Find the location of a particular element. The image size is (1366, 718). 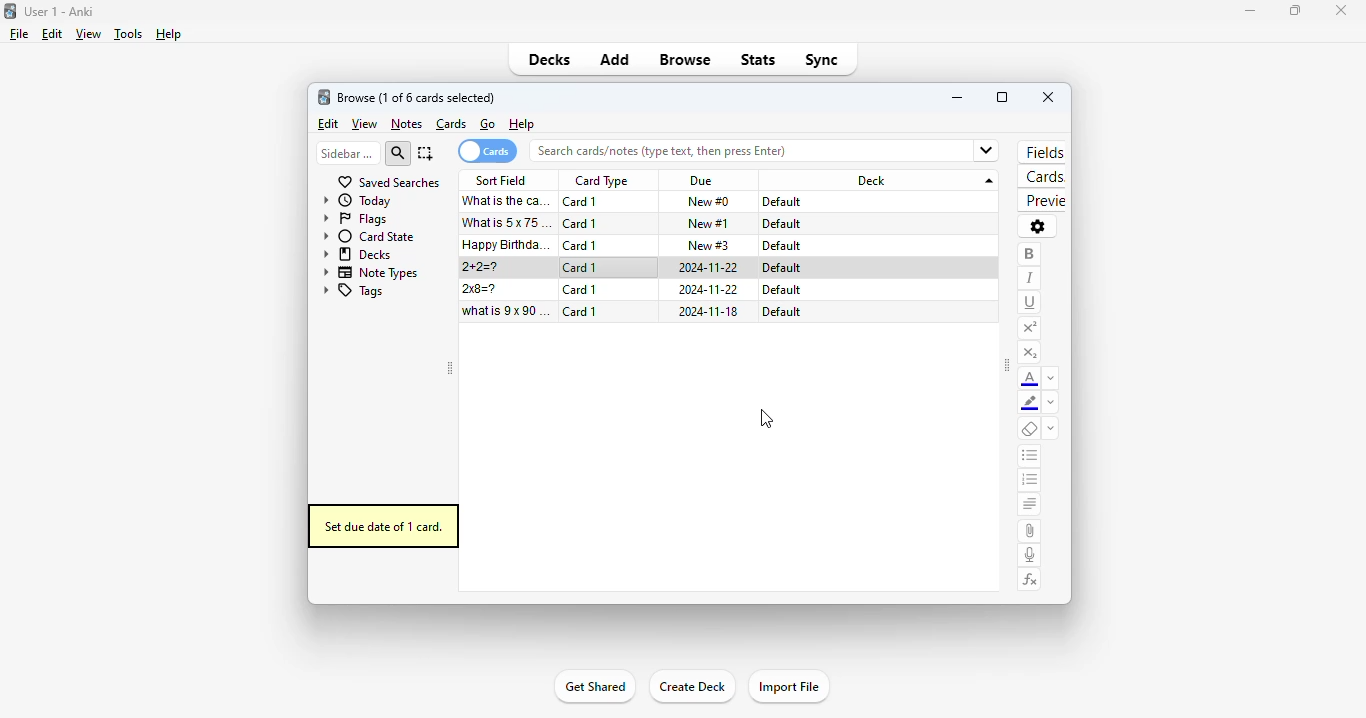

change color is located at coordinates (1051, 378).